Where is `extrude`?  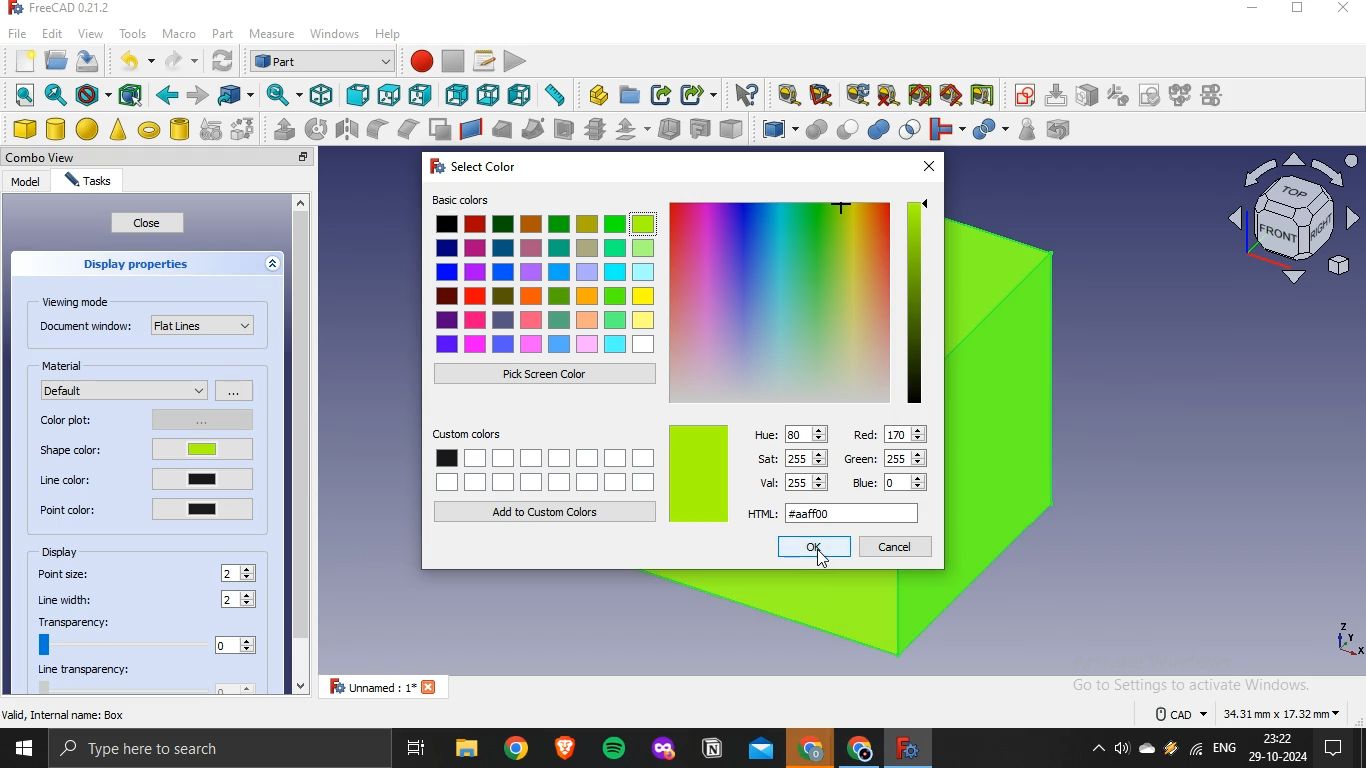
extrude is located at coordinates (284, 129).